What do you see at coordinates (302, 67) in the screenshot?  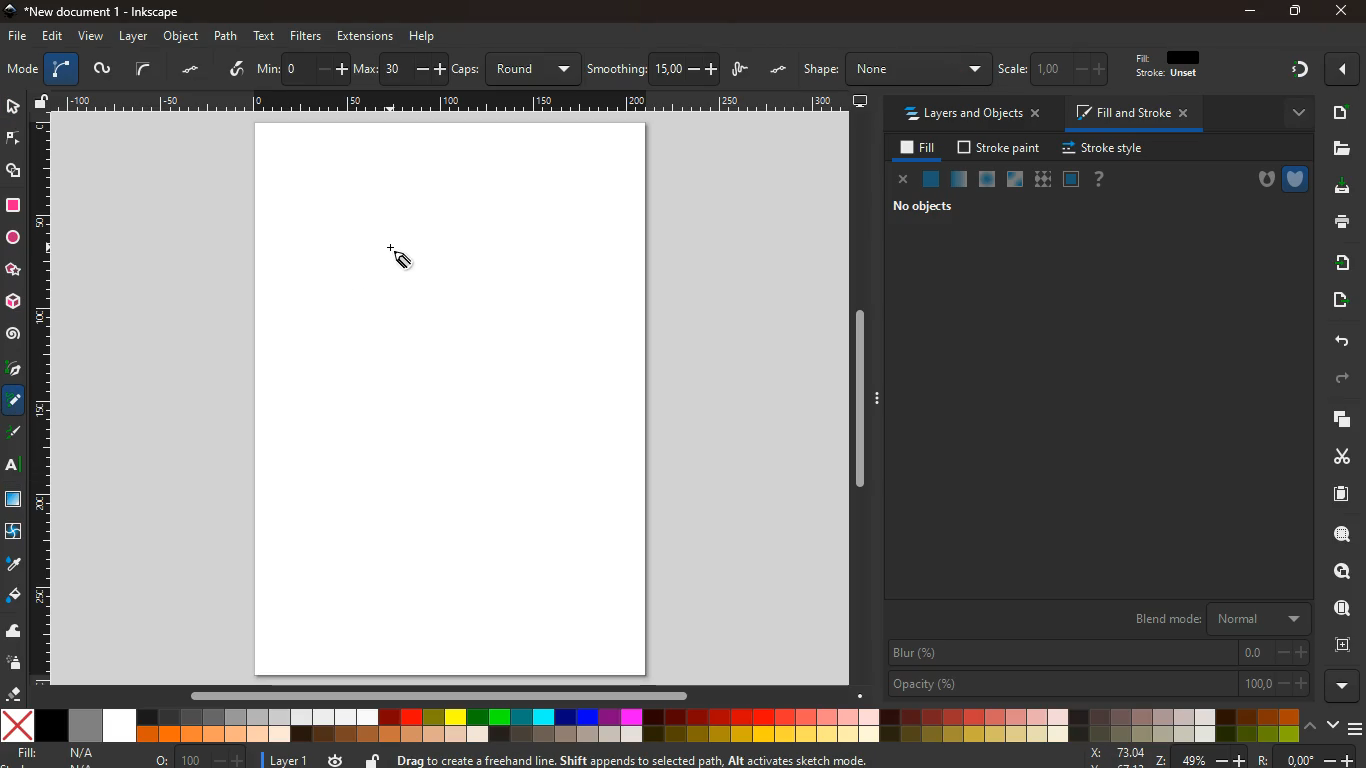 I see `min` at bounding box center [302, 67].